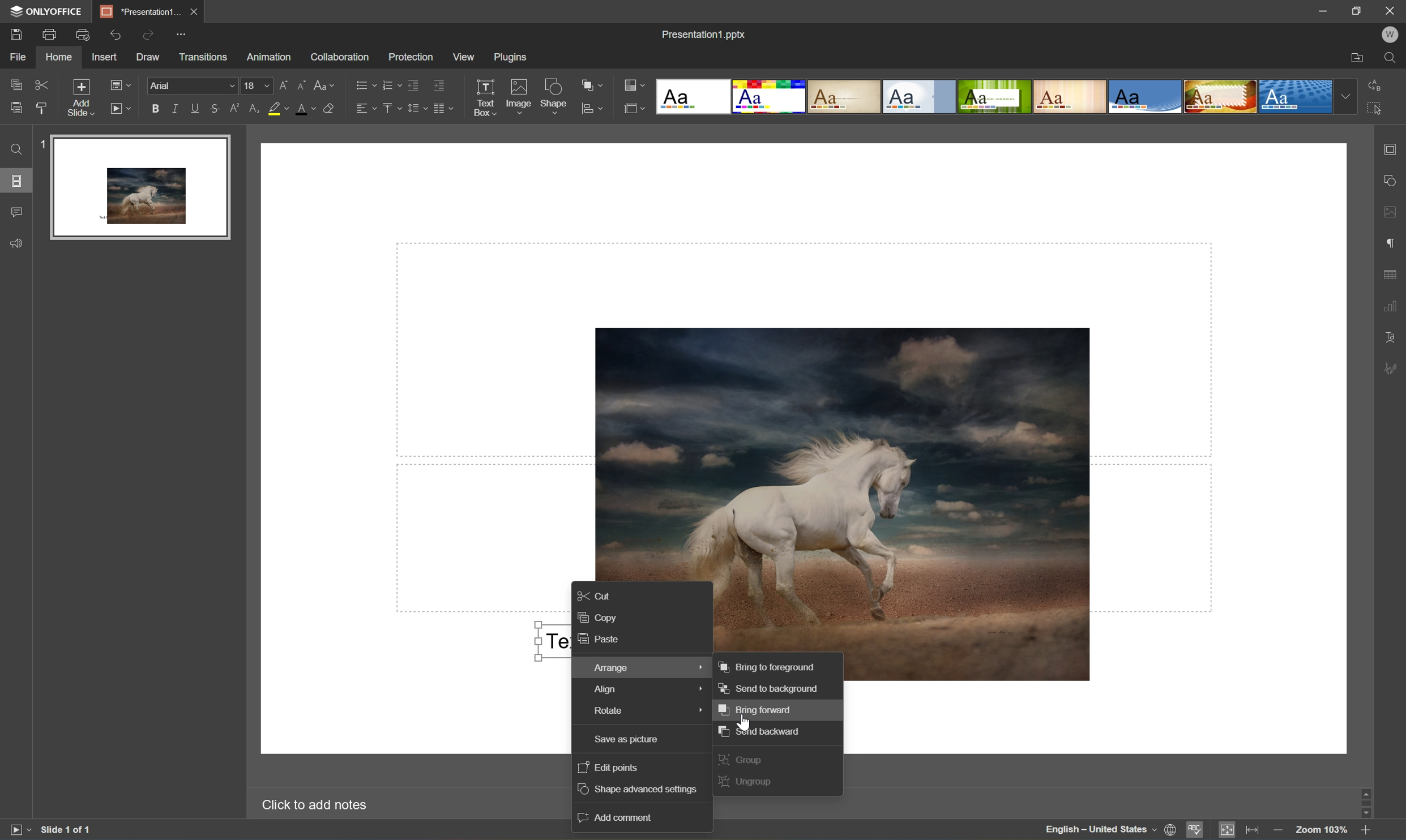  What do you see at coordinates (1253, 830) in the screenshot?
I see `Fit to width` at bounding box center [1253, 830].